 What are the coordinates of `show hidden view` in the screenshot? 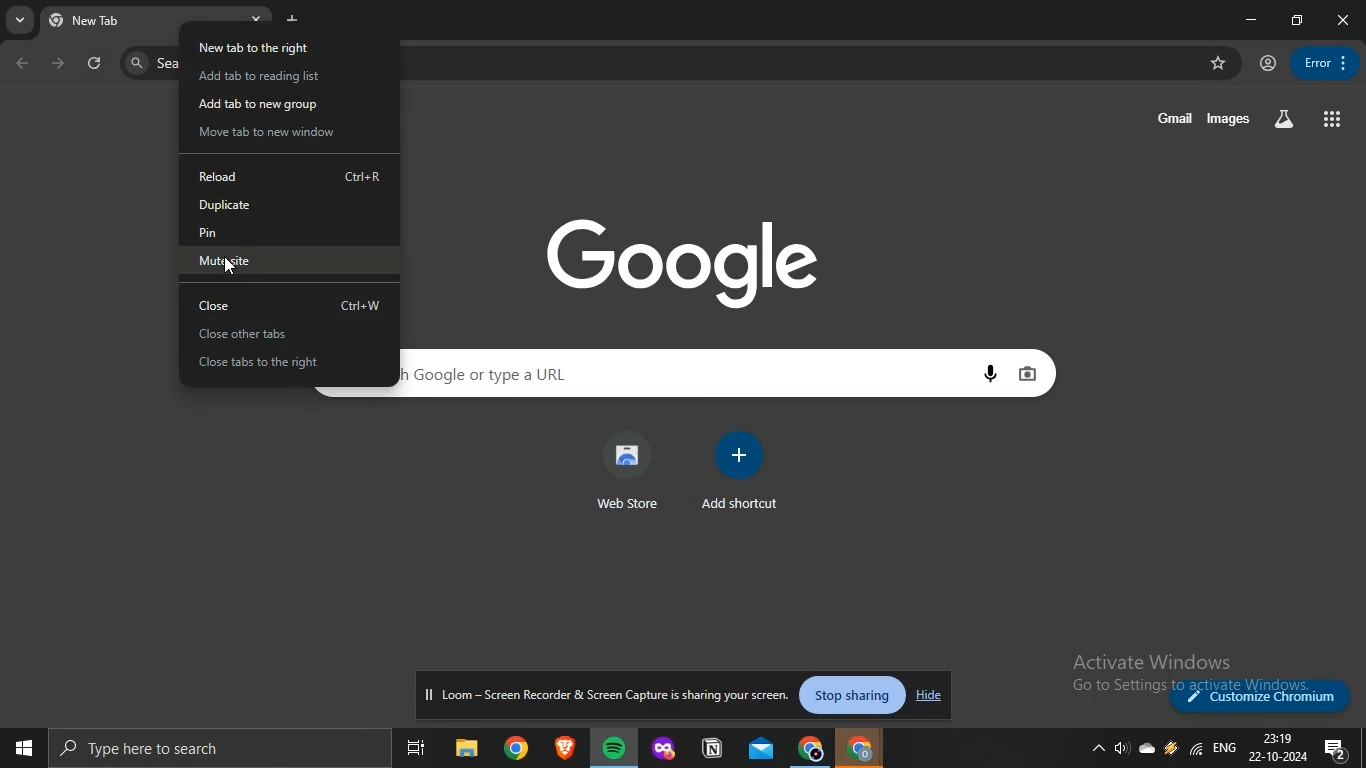 It's located at (1095, 750).